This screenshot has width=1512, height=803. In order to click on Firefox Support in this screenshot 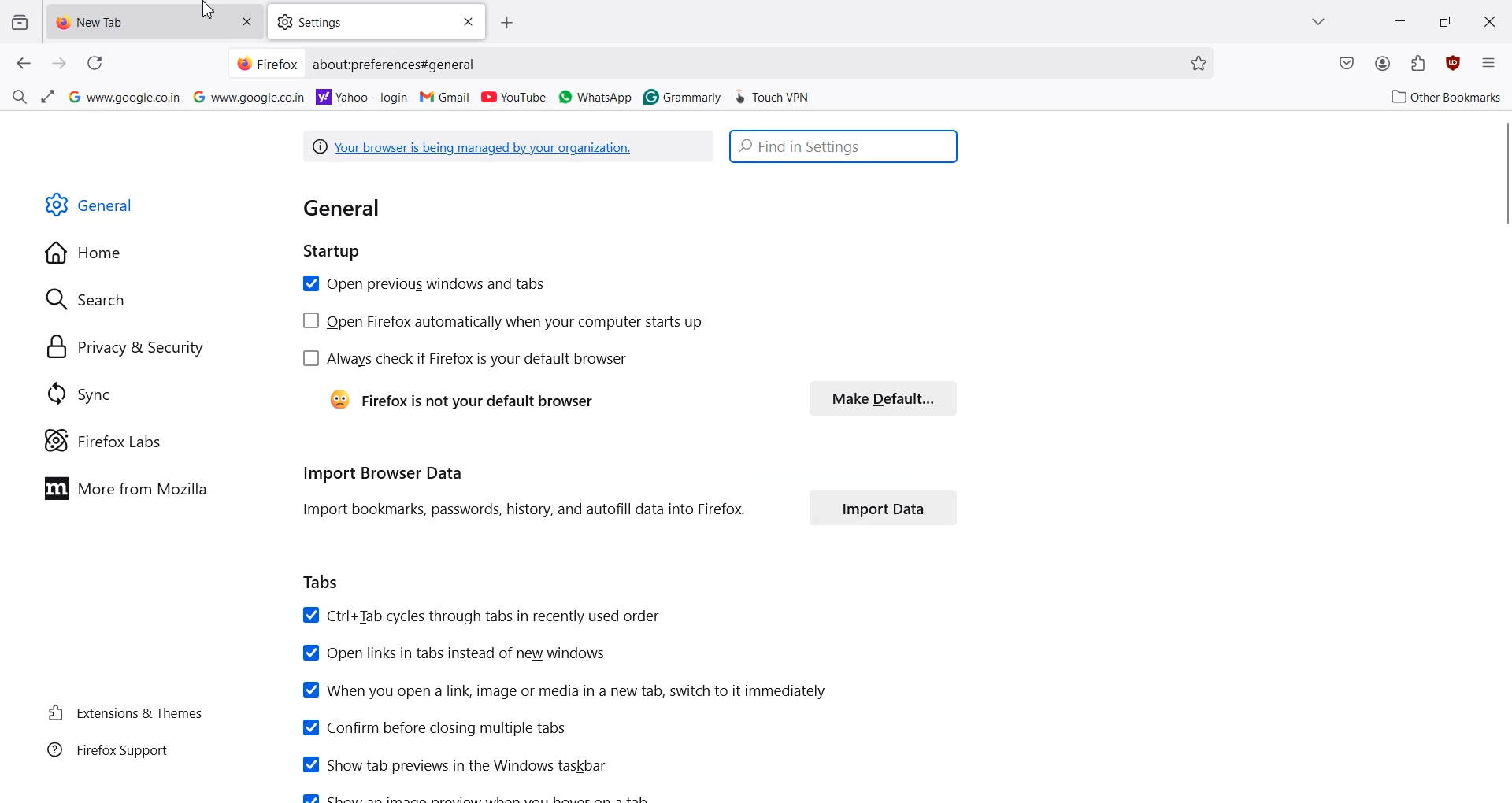, I will do `click(108, 749)`.